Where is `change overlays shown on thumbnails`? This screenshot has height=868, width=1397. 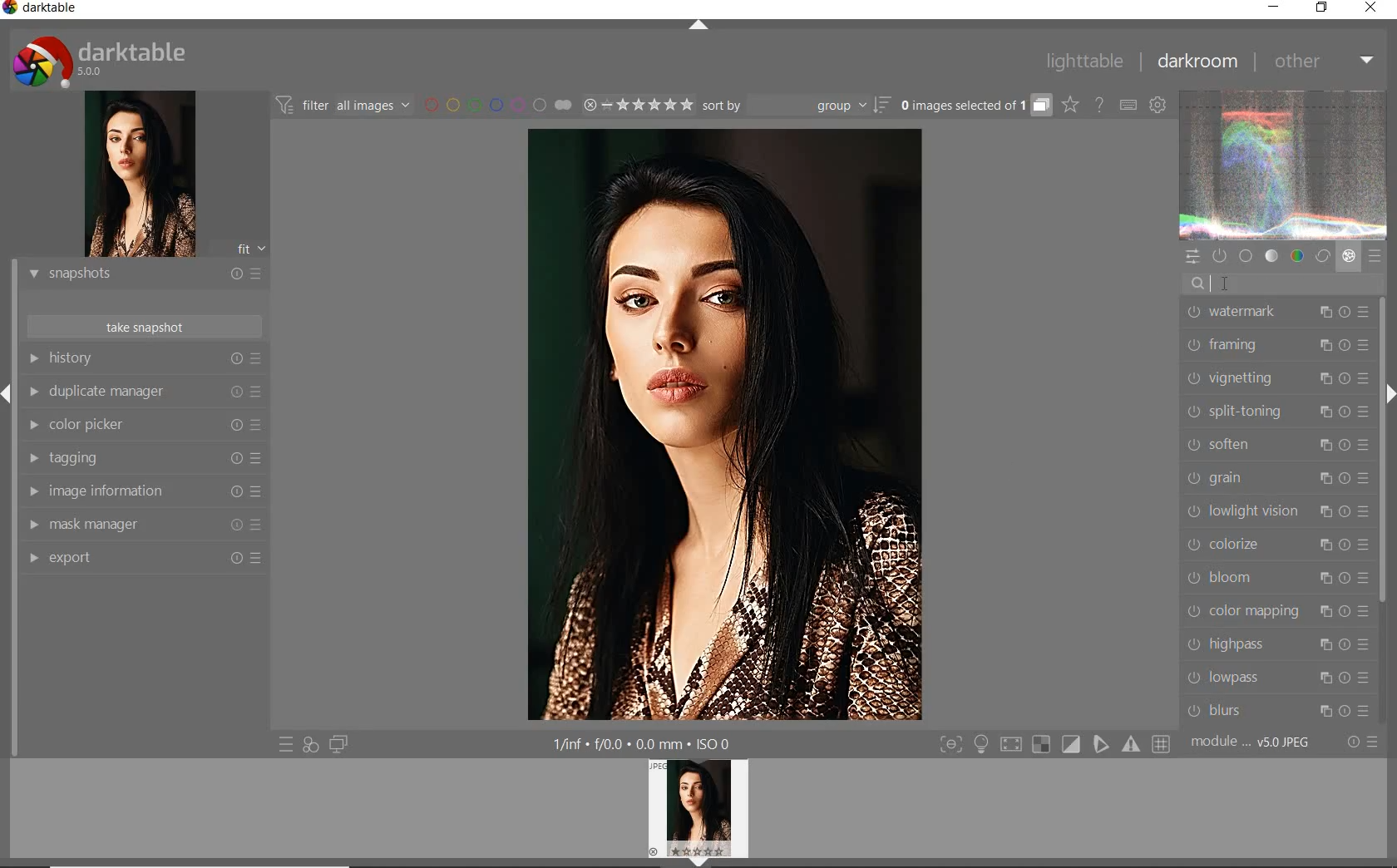
change overlays shown on thumbnails is located at coordinates (1069, 106).